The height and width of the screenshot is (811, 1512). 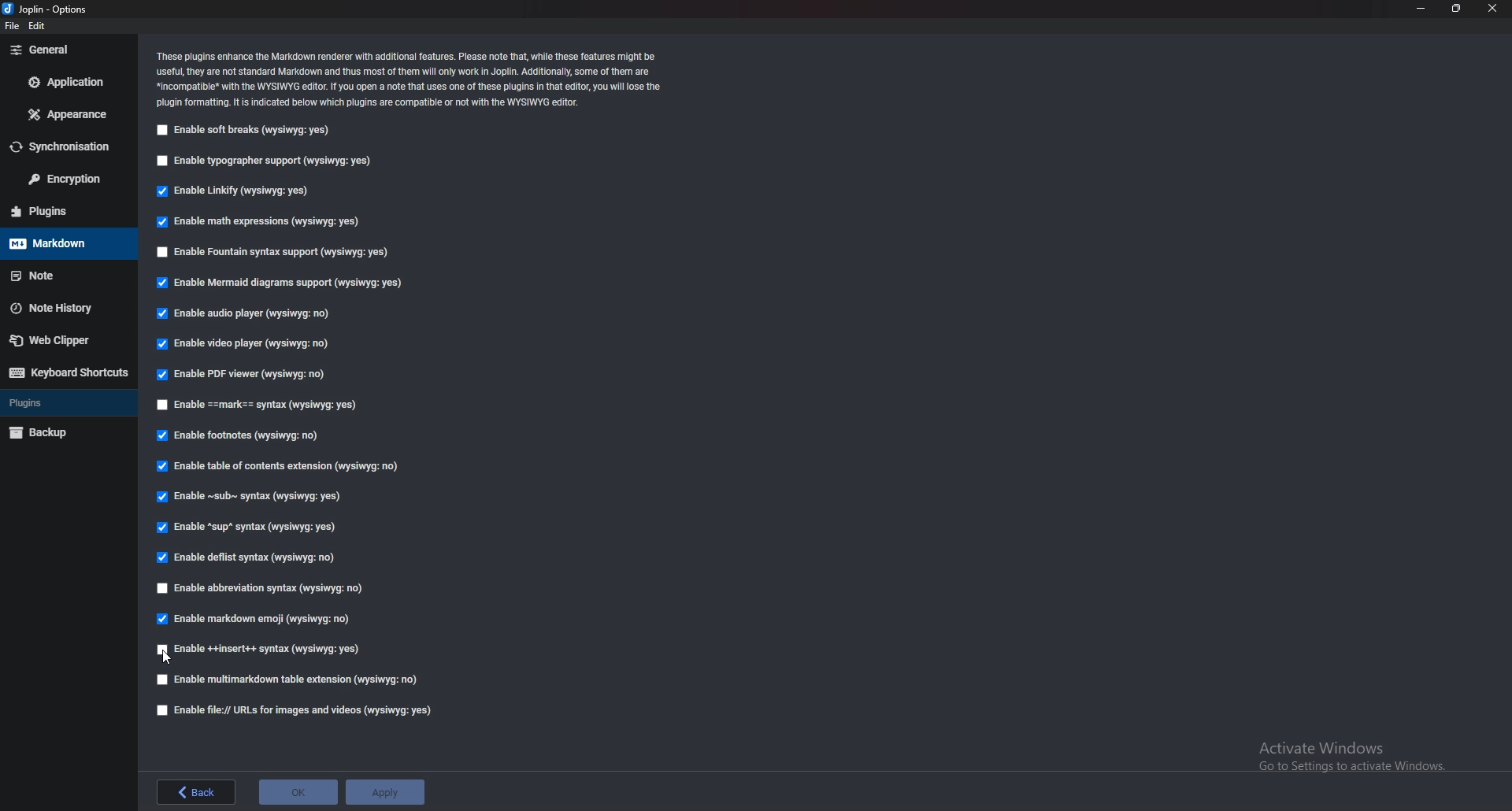 What do you see at coordinates (65, 373) in the screenshot?
I see `Keyboard shortcuts` at bounding box center [65, 373].